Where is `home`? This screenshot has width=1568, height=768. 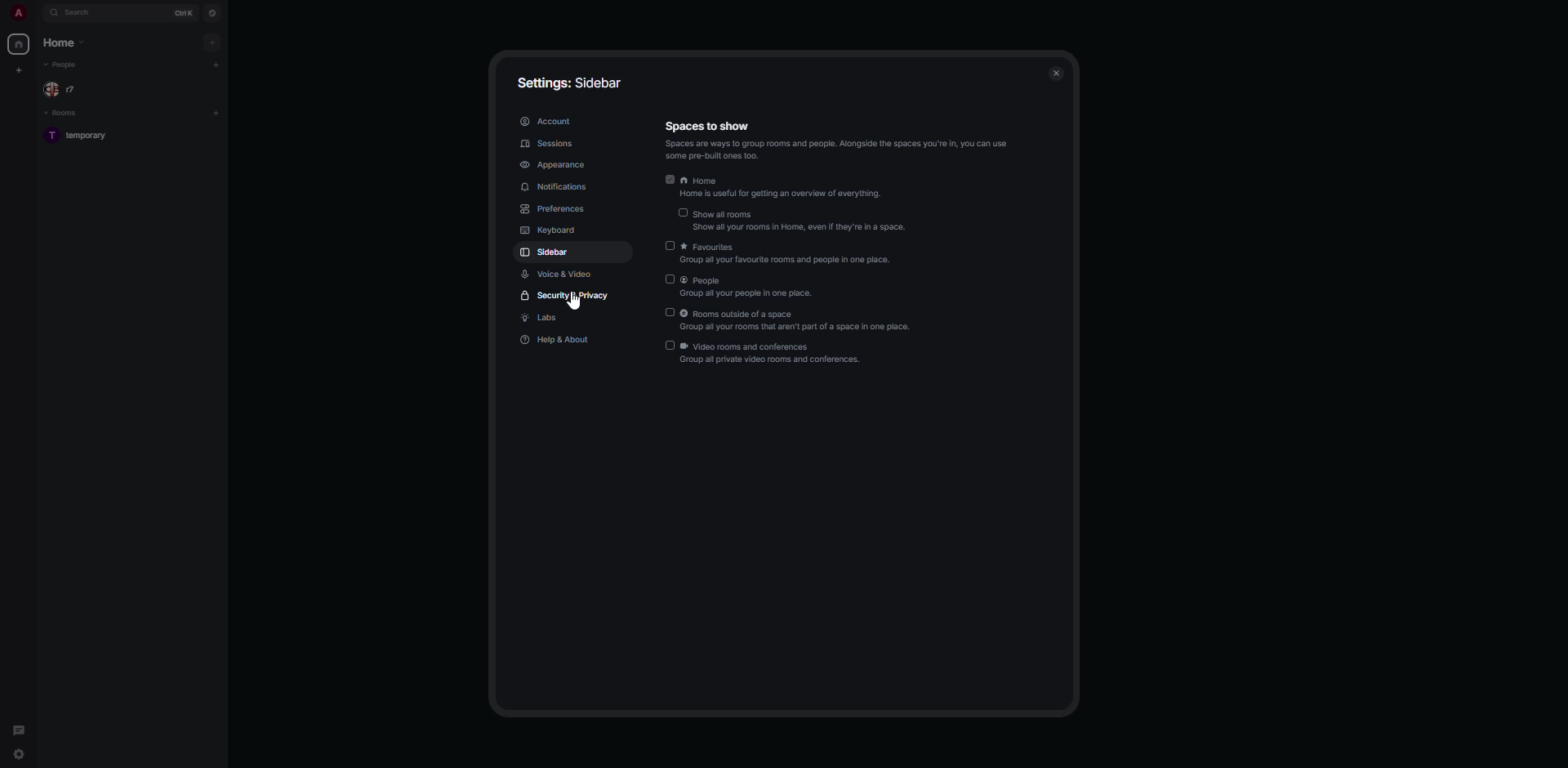
home is located at coordinates (776, 181).